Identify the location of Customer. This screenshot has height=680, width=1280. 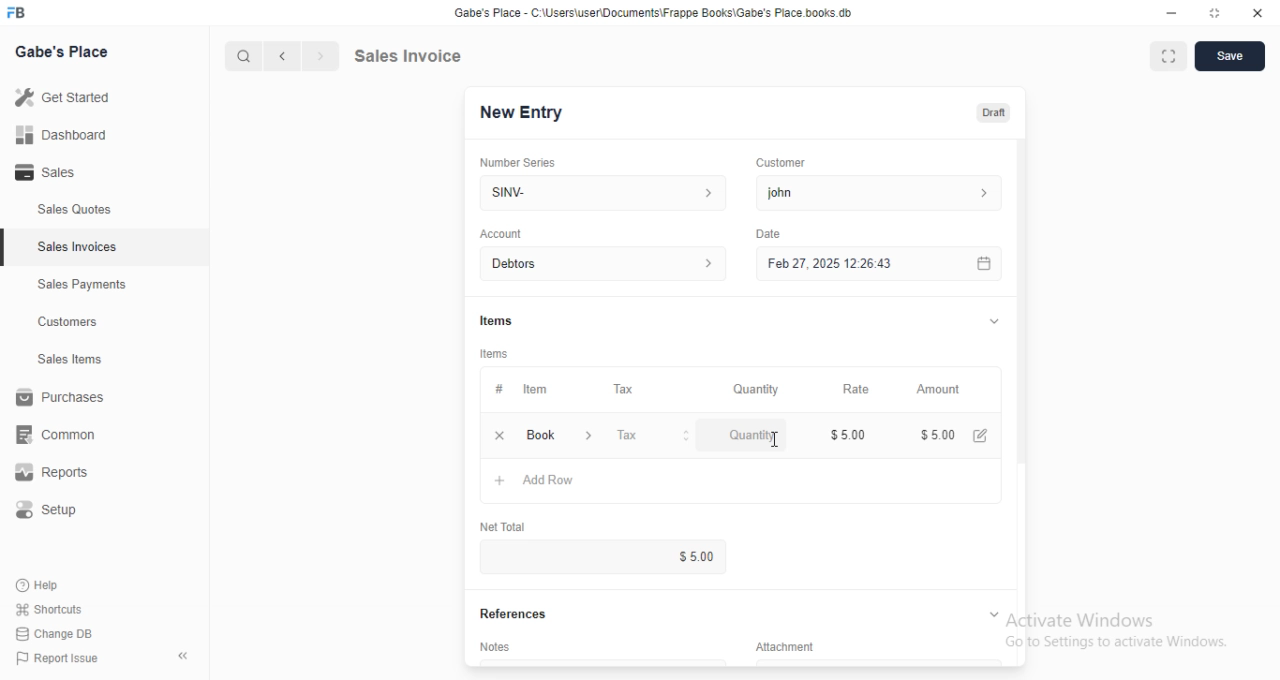
(784, 163).